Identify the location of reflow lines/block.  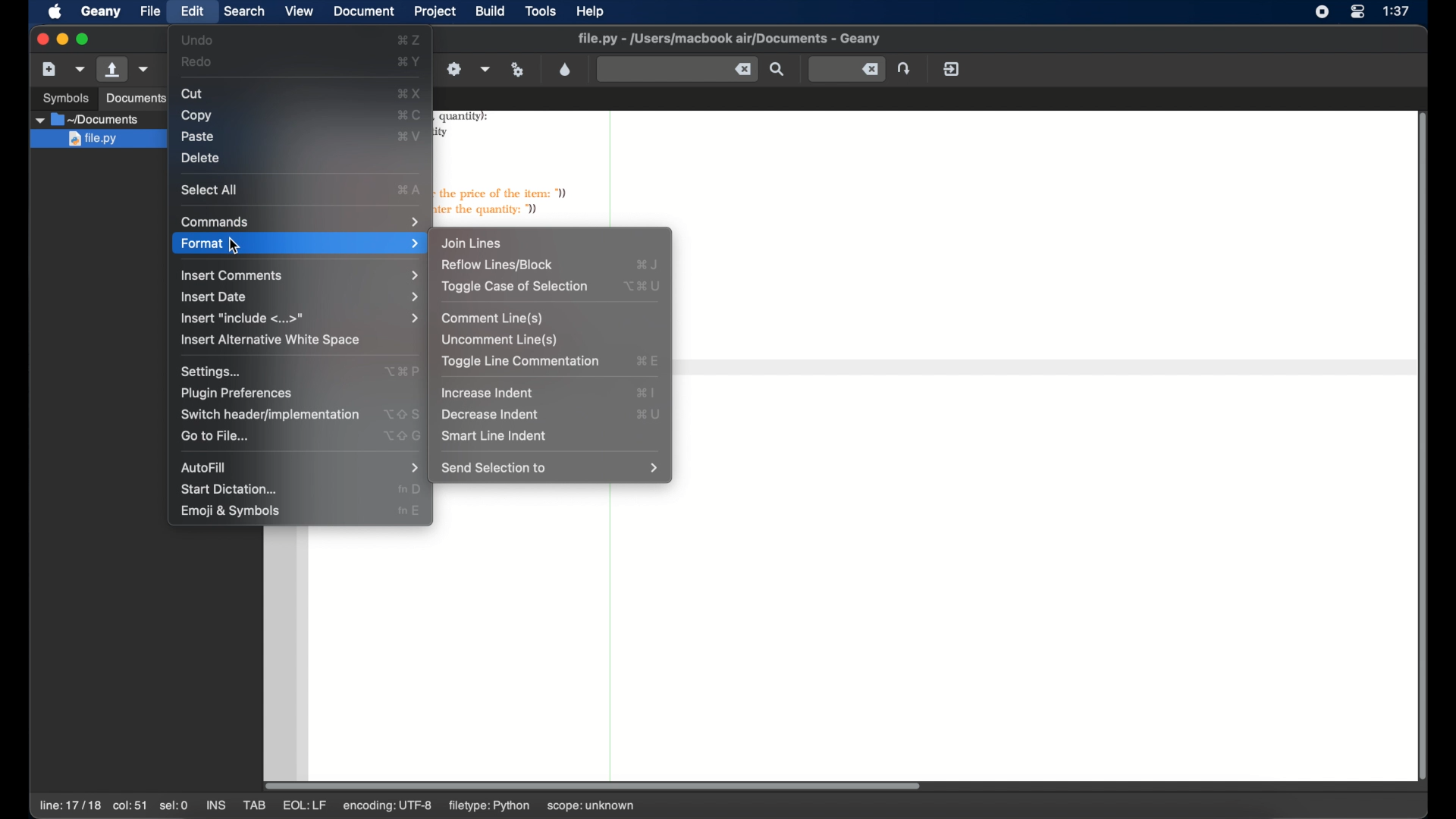
(499, 265).